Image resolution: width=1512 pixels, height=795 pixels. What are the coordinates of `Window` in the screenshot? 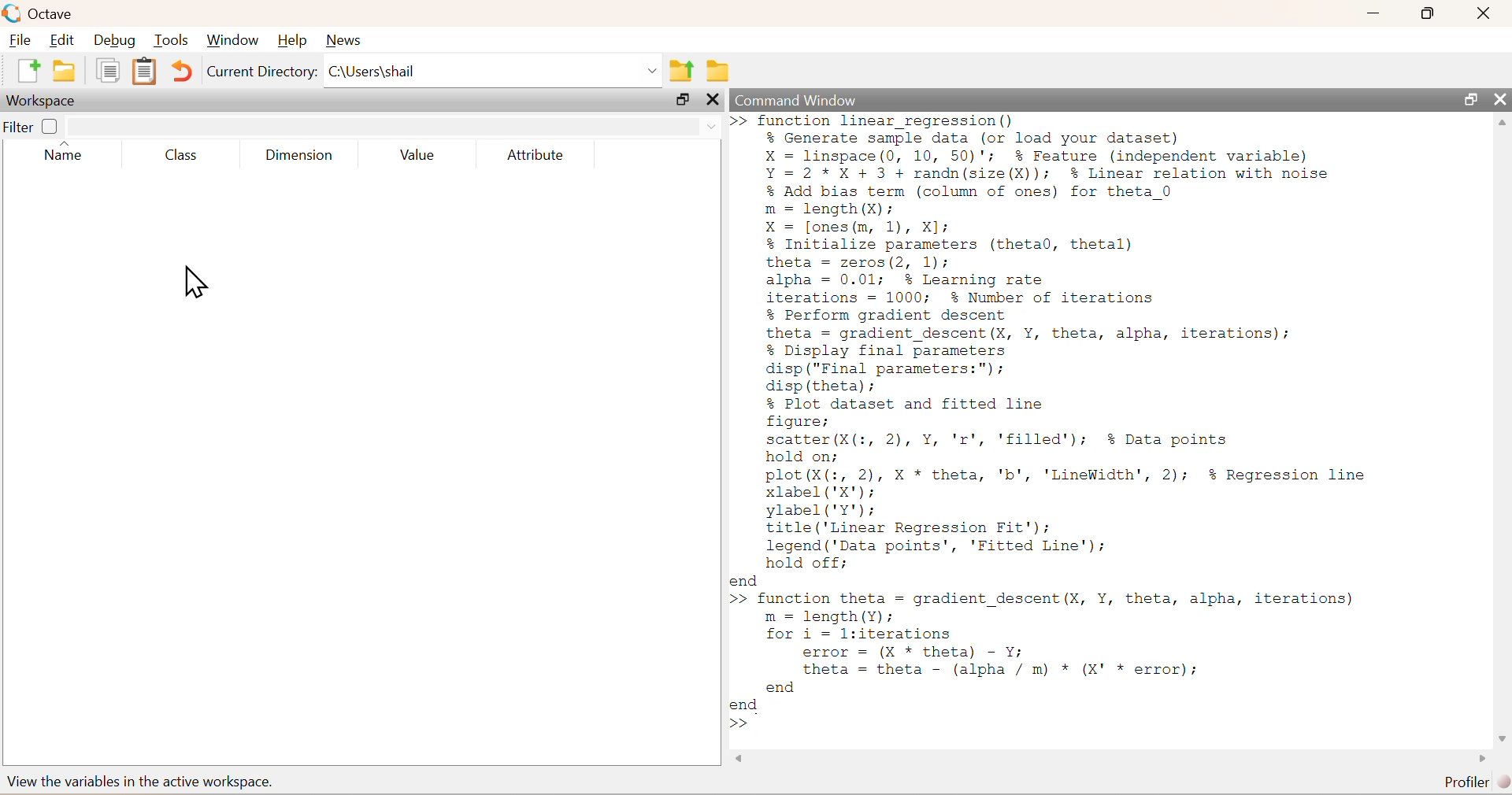 It's located at (234, 39).